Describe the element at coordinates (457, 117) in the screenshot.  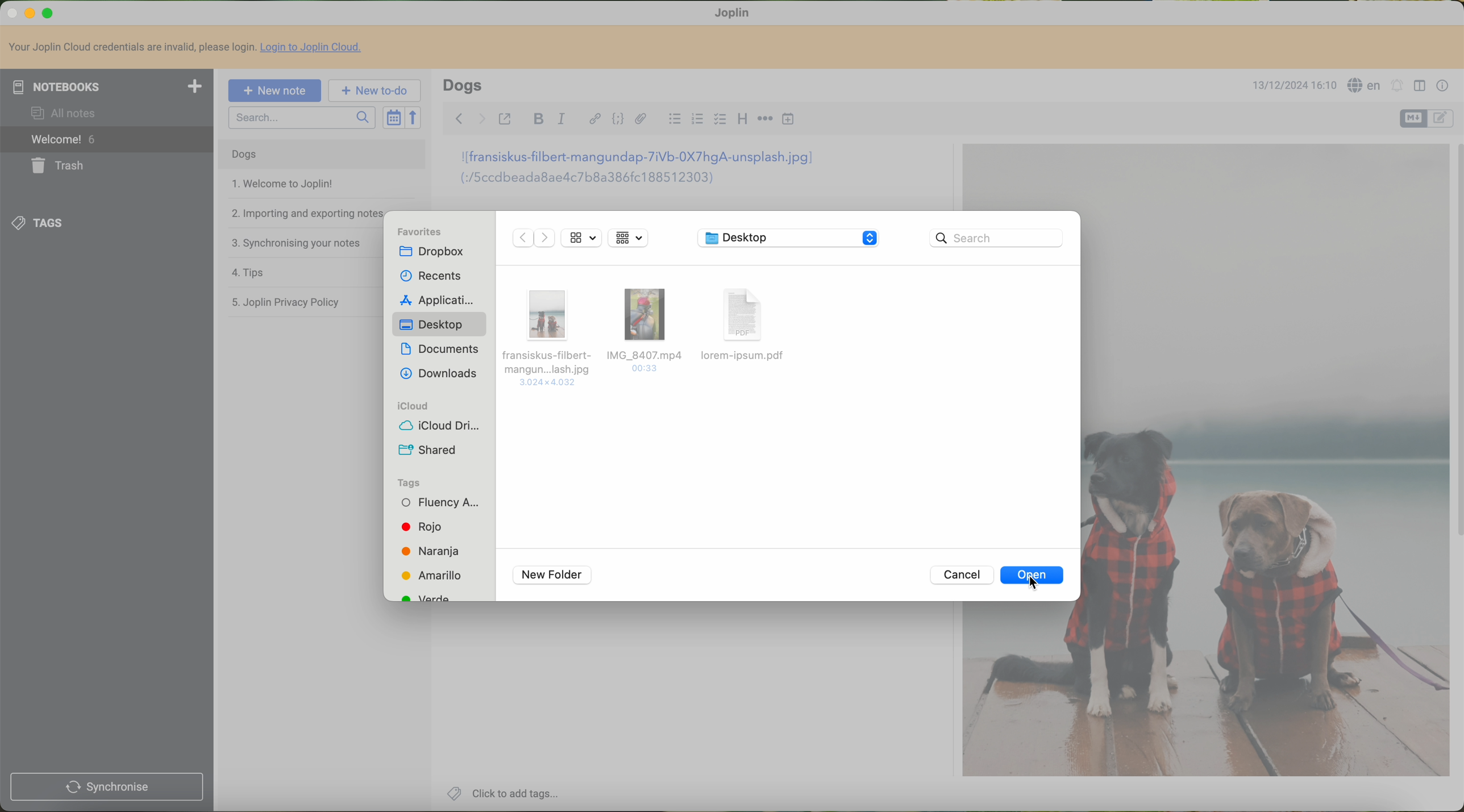
I see `navigate back arrow` at that location.